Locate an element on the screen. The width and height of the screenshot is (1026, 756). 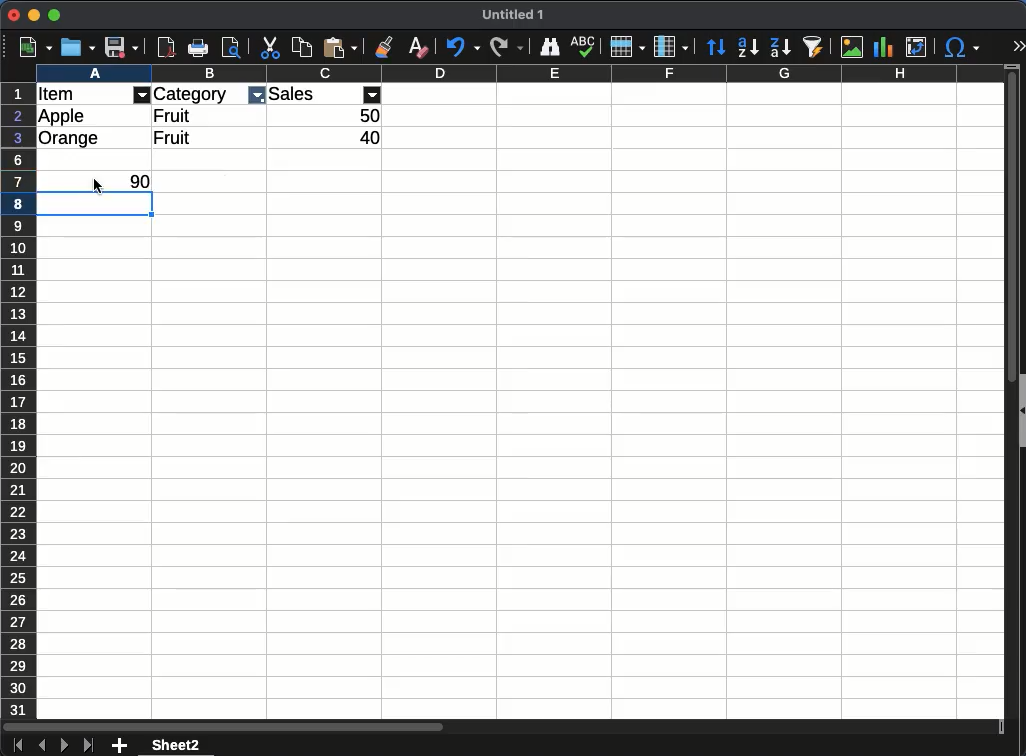
new is located at coordinates (36, 47).